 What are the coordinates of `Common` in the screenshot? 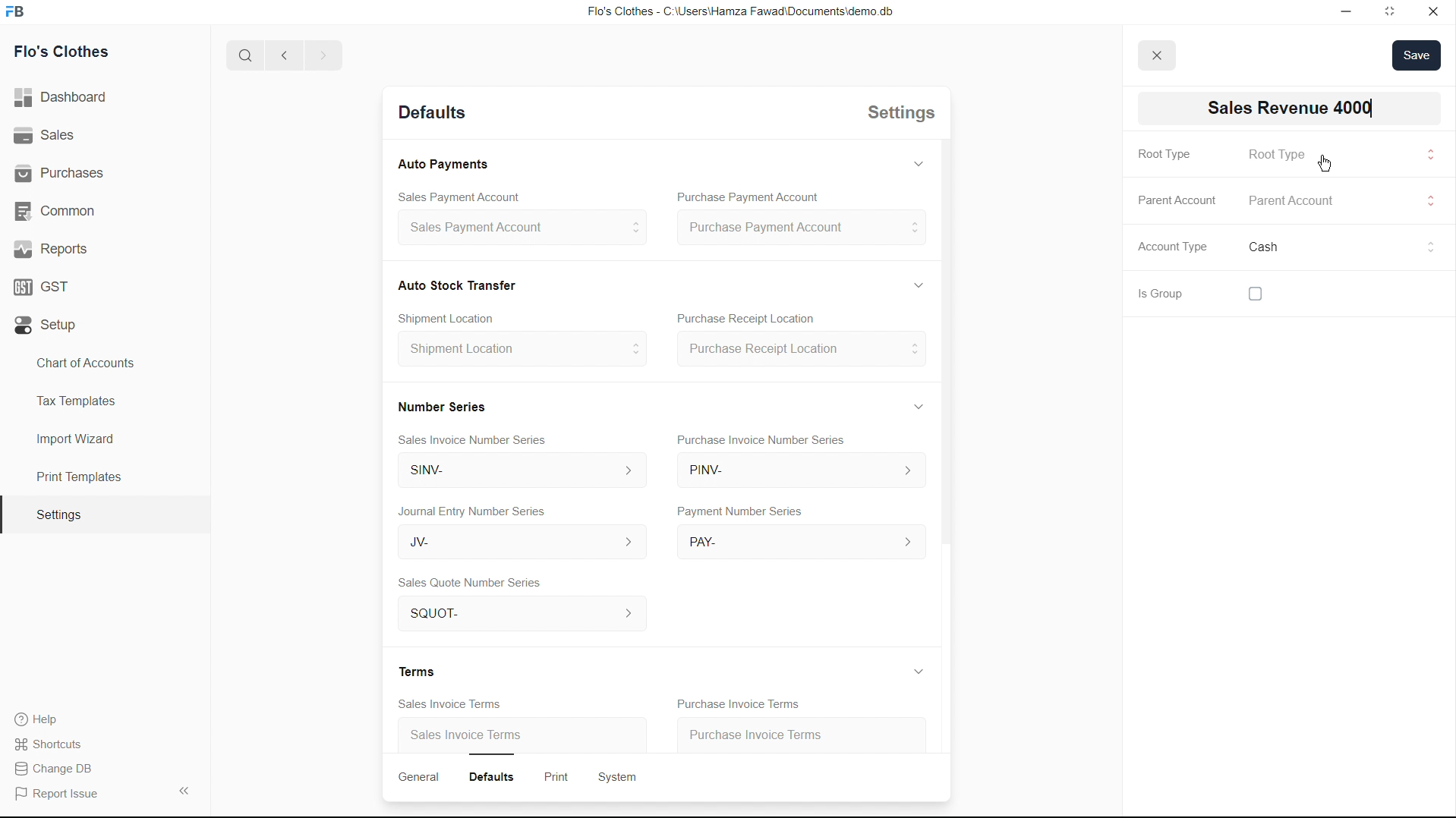 It's located at (58, 209).